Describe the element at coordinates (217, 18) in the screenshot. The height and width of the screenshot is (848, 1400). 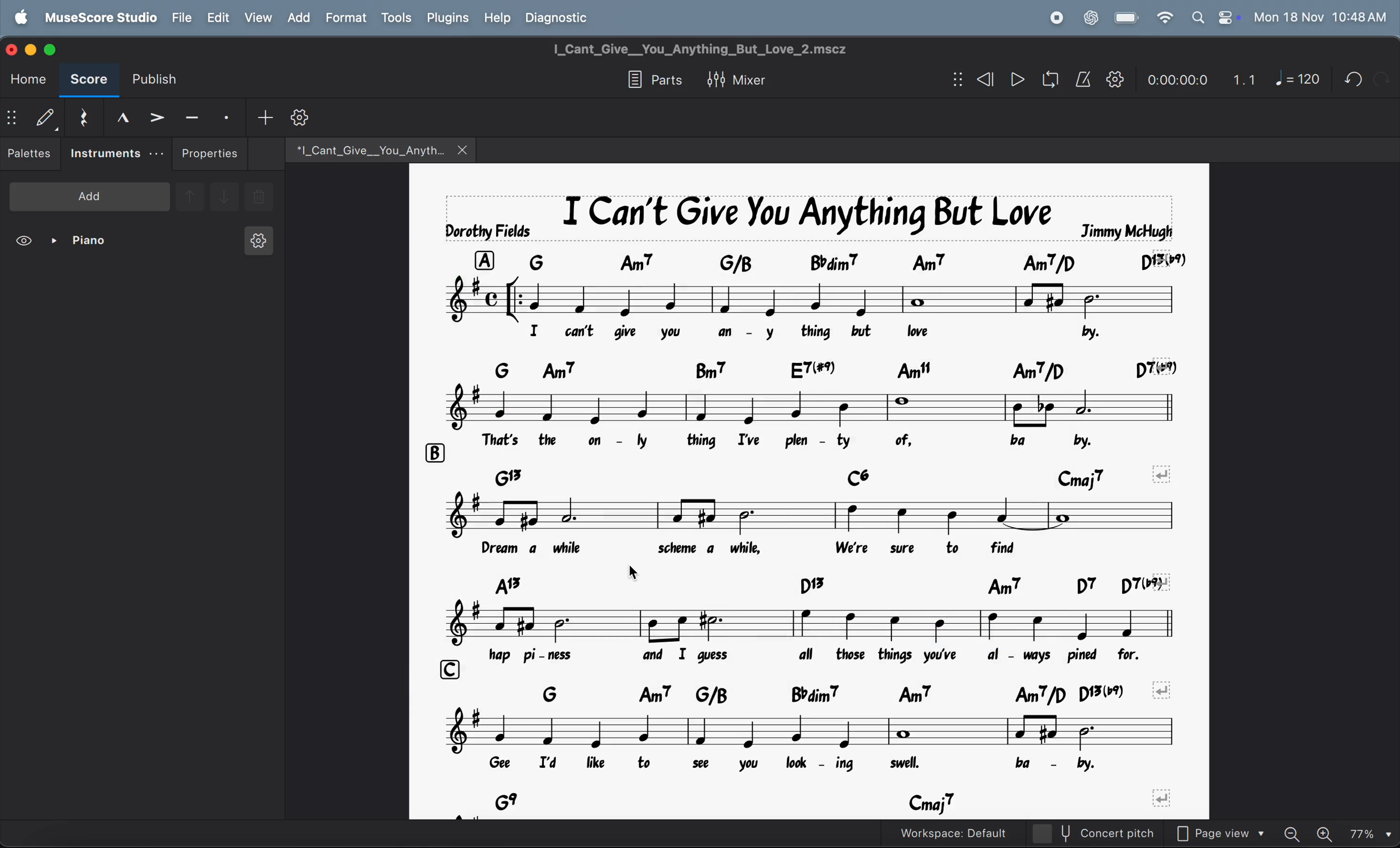
I see `edit ` at that location.